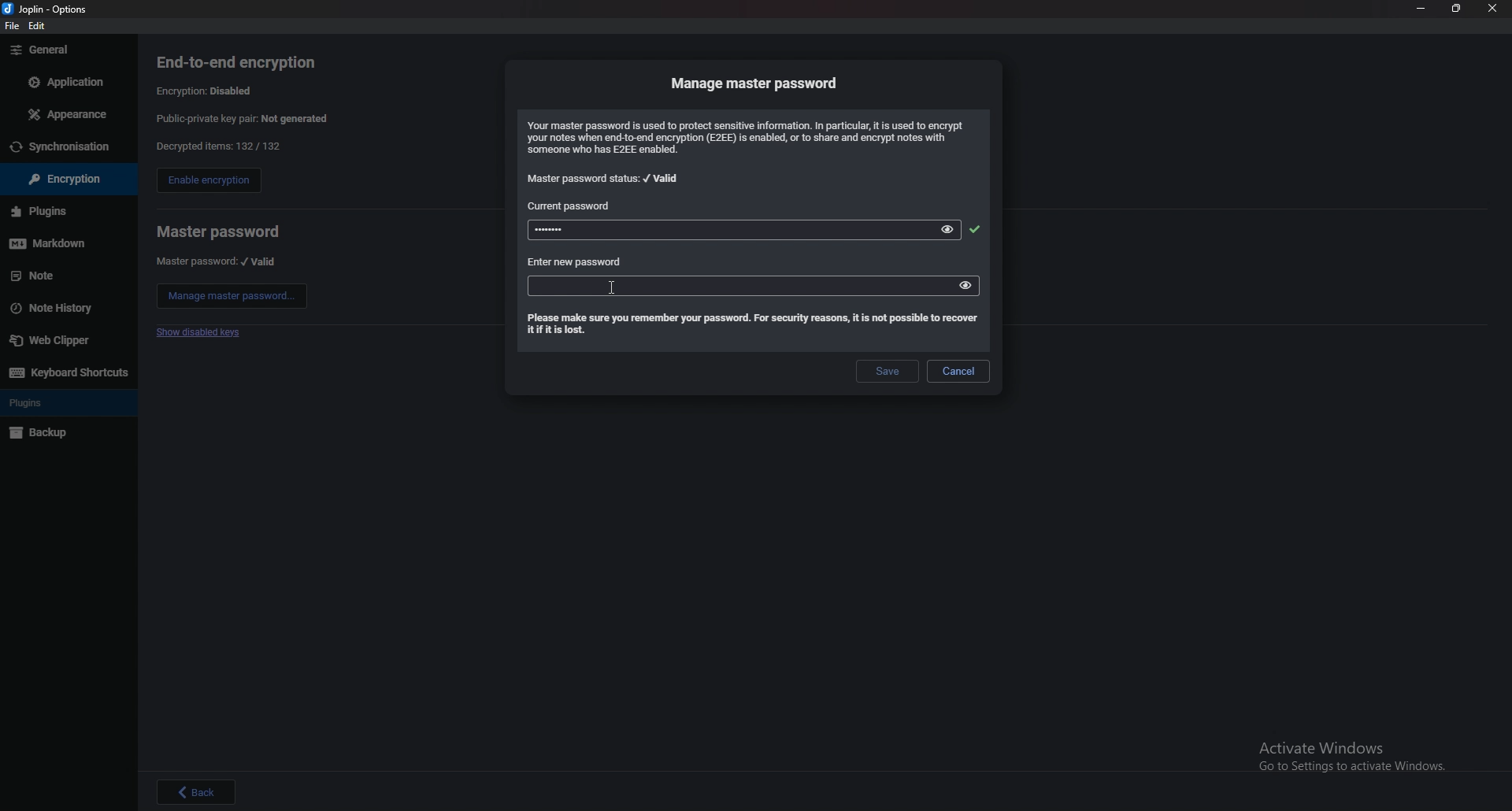  I want to click on master password, so click(217, 261).